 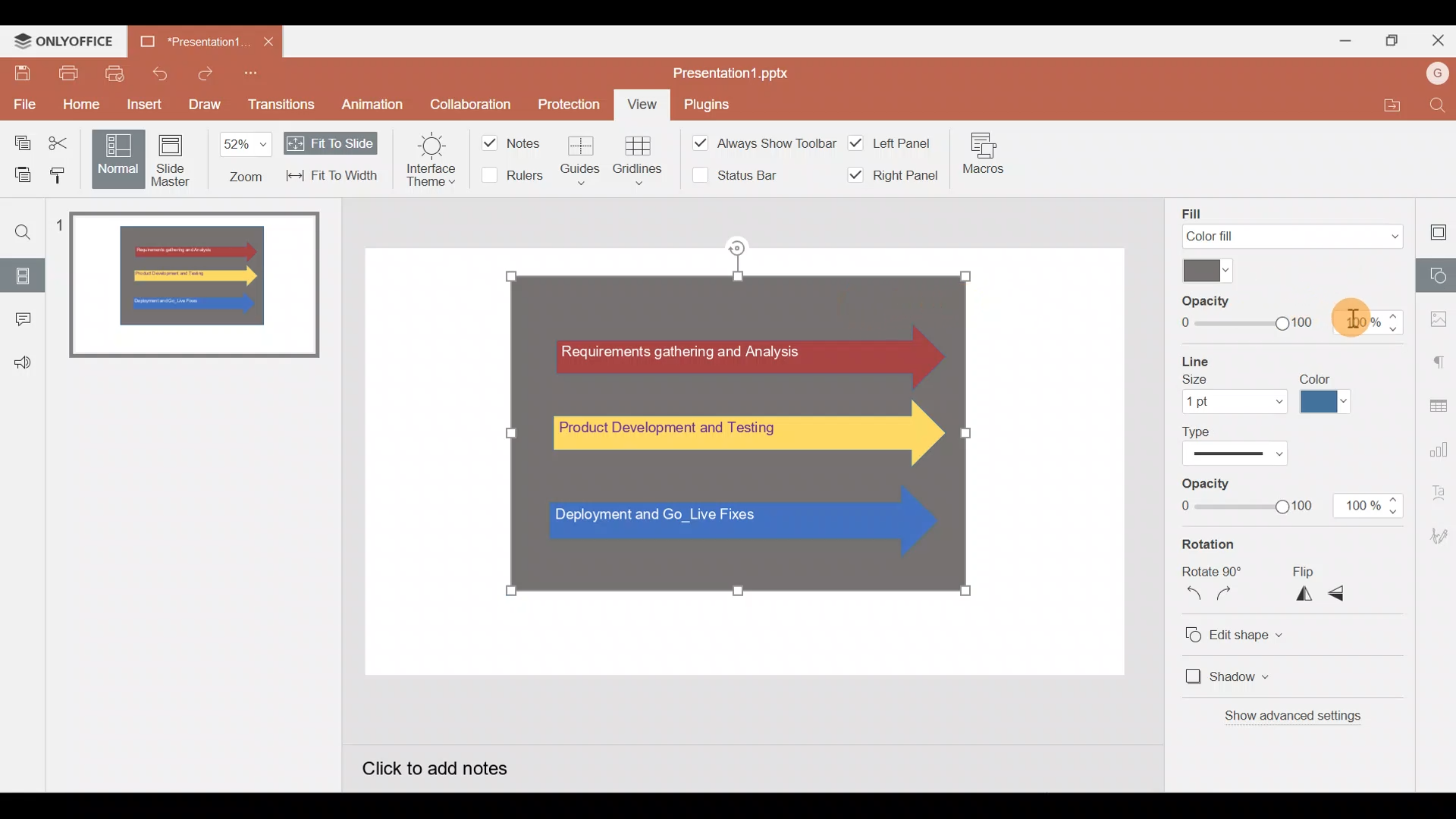 What do you see at coordinates (17, 140) in the screenshot?
I see `Copy` at bounding box center [17, 140].